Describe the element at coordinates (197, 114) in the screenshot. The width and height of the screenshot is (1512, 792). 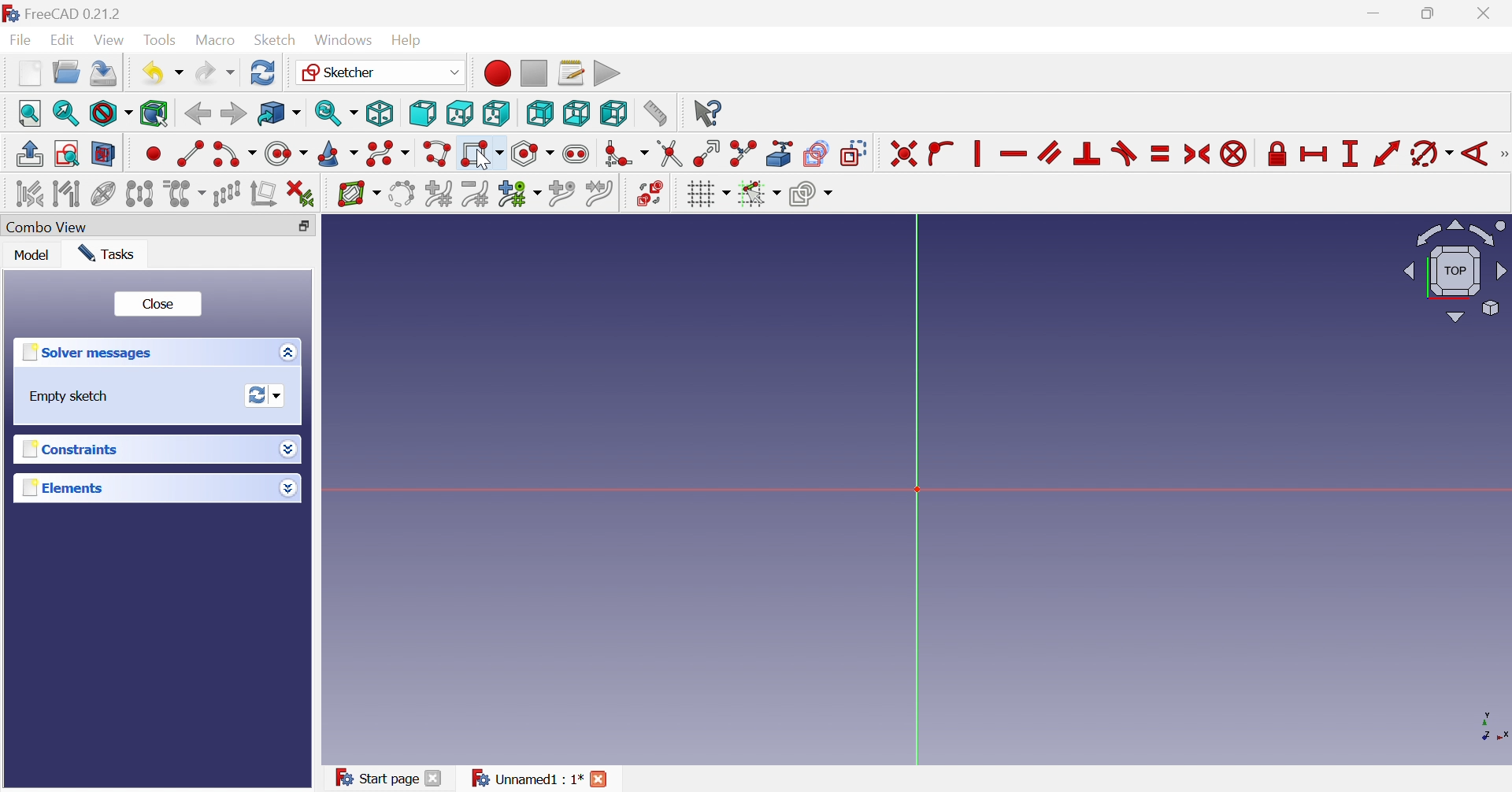
I see `Back` at that location.